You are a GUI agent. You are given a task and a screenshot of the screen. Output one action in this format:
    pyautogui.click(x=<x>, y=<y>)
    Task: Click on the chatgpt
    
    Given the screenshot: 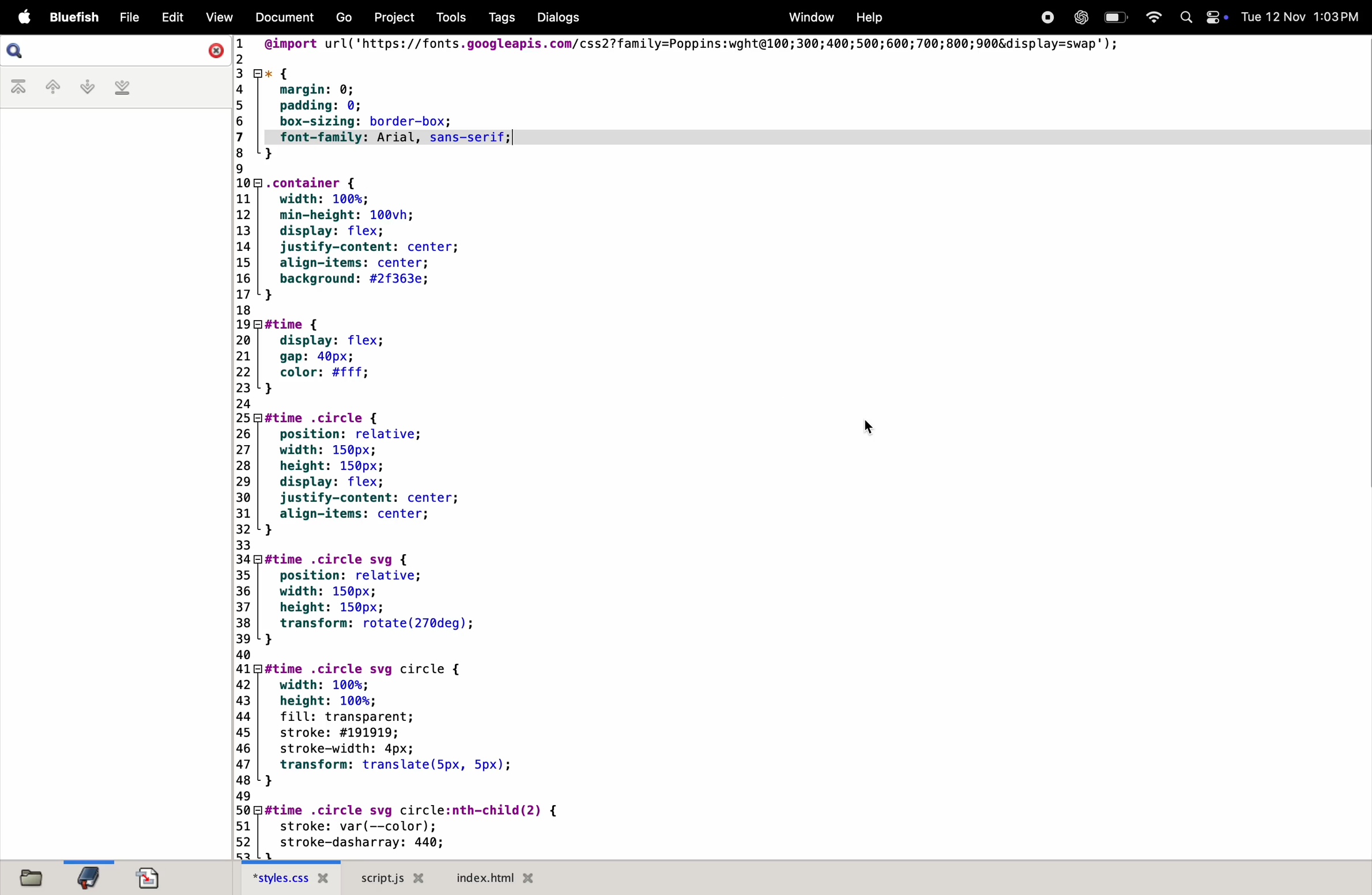 What is the action you would take?
    pyautogui.click(x=1081, y=17)
    